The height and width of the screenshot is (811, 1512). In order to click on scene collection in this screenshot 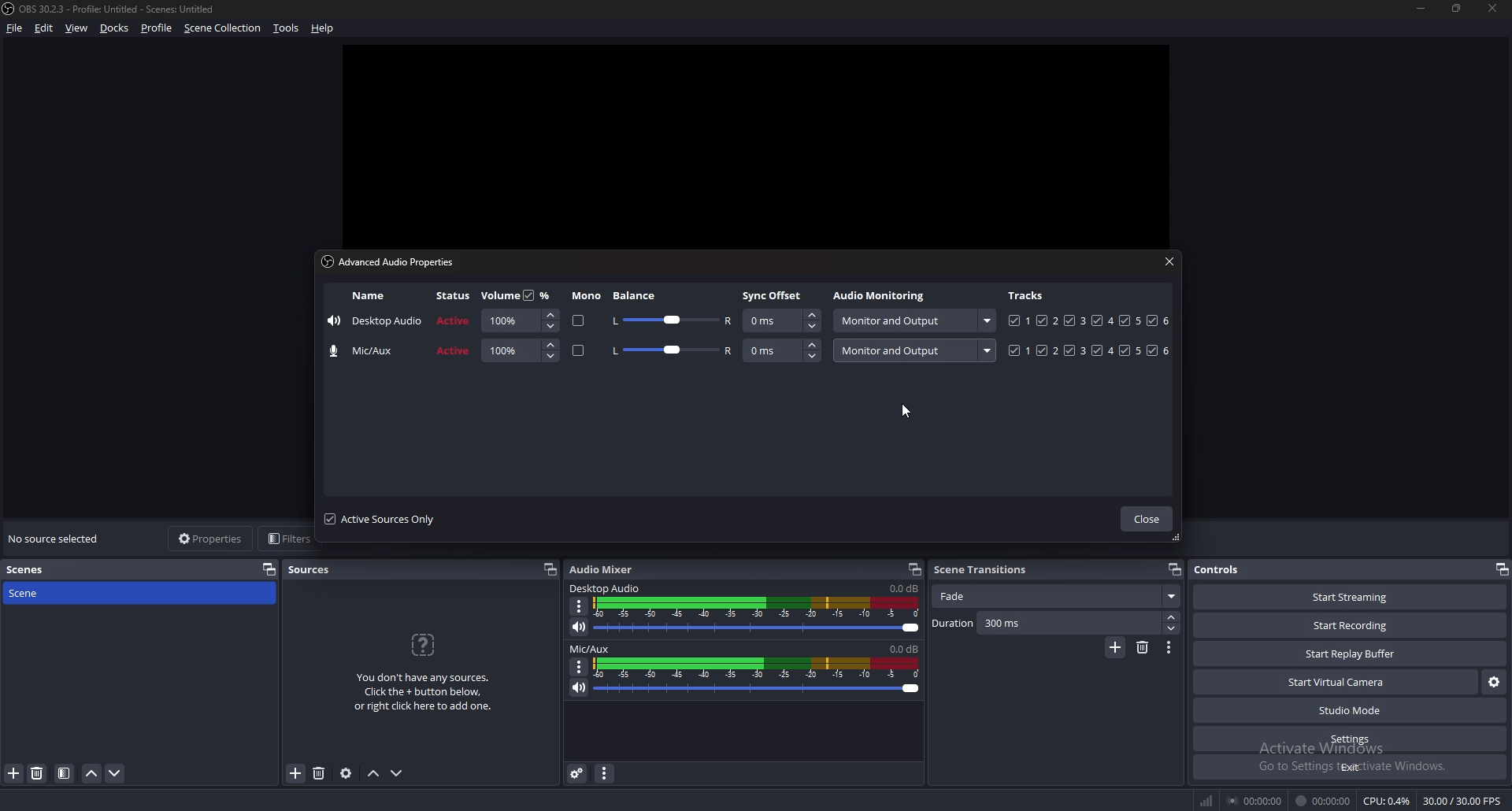, I will do `click(222, 28)`.